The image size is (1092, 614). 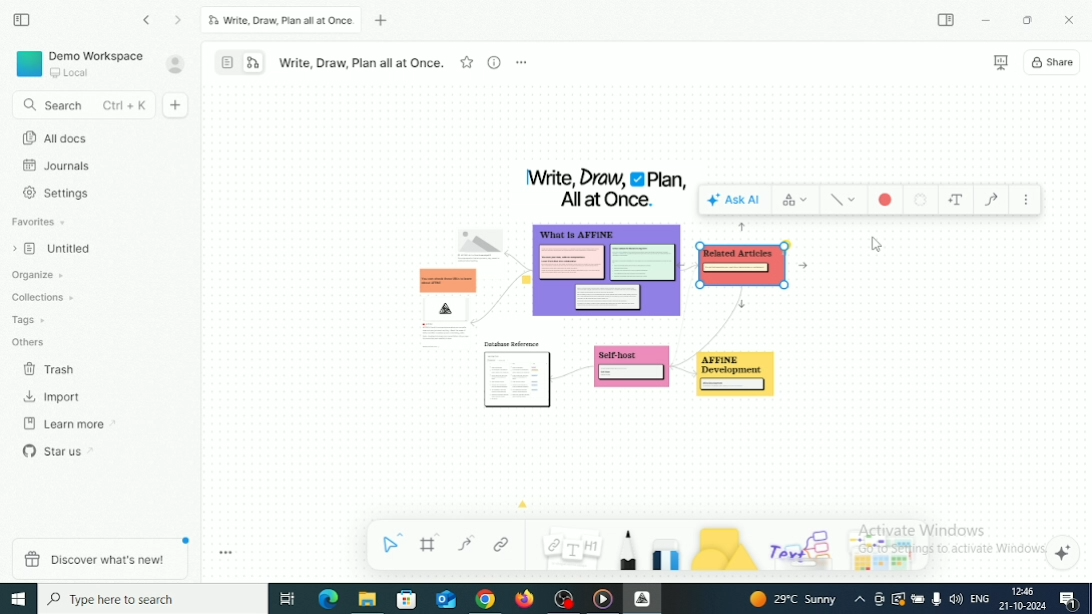 I want to click on Arrows and stickers, so click(x=887, y=553).